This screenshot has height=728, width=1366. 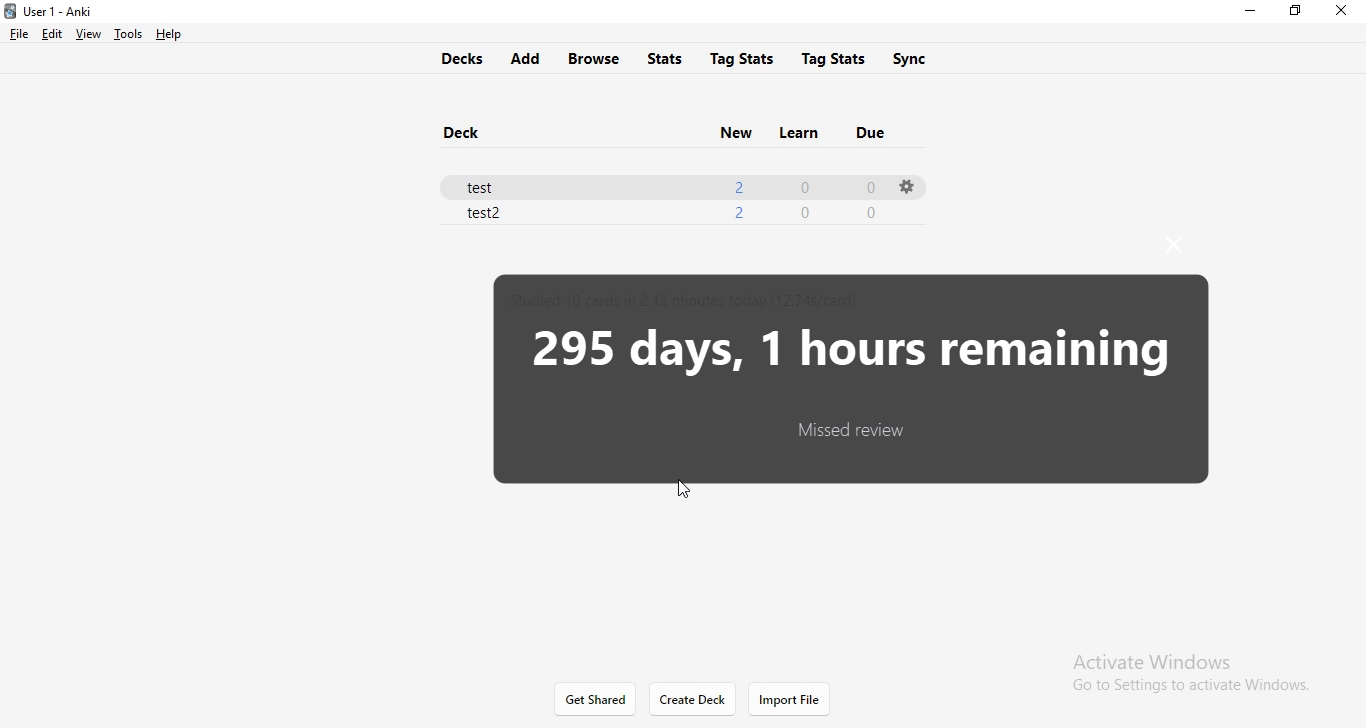 I want to click on 0, so click(x=810, y=187).